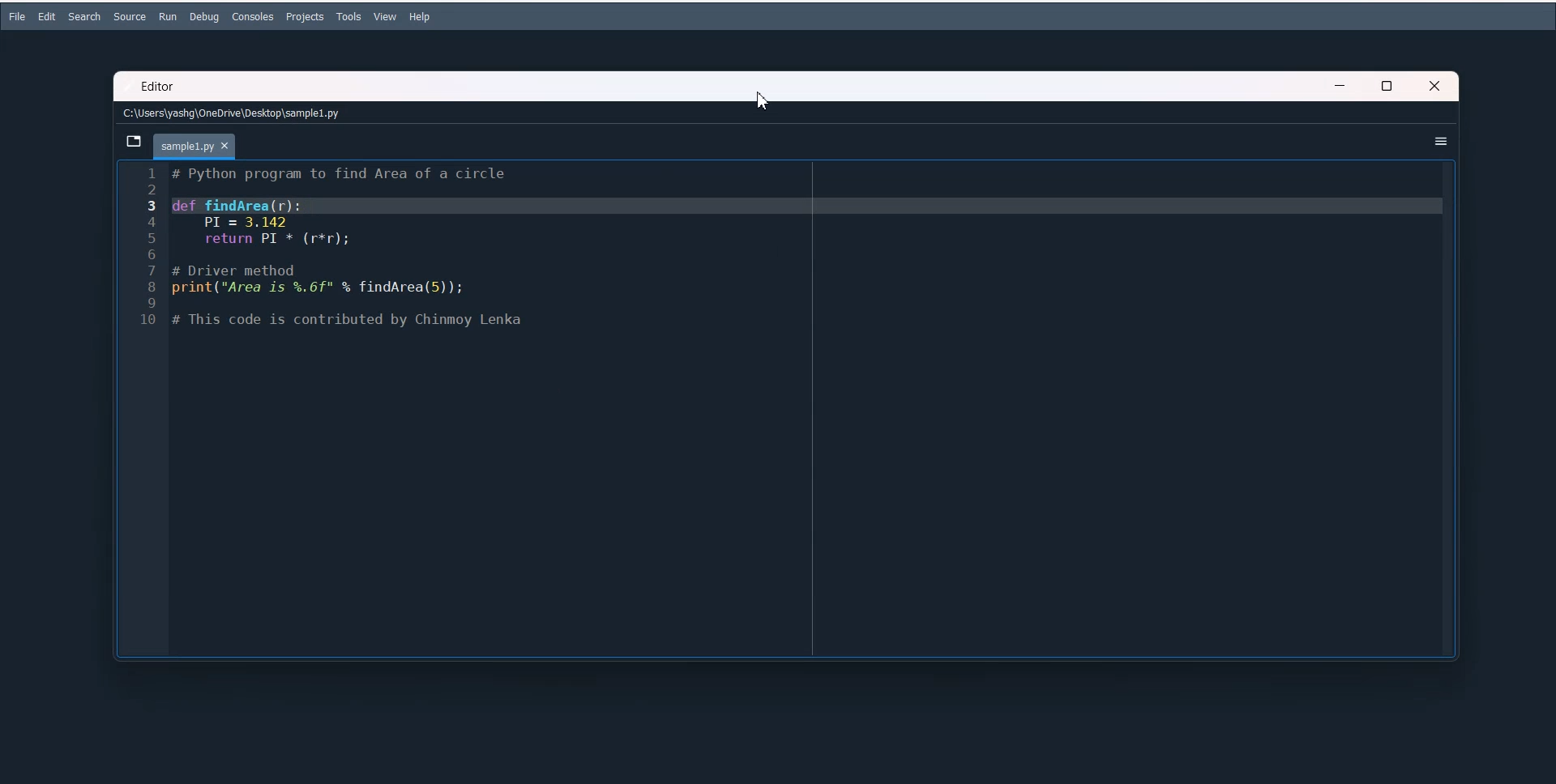 The width and height of the screenshot is (1556, 784). I want to click on Minimize, so click(1340, 86).